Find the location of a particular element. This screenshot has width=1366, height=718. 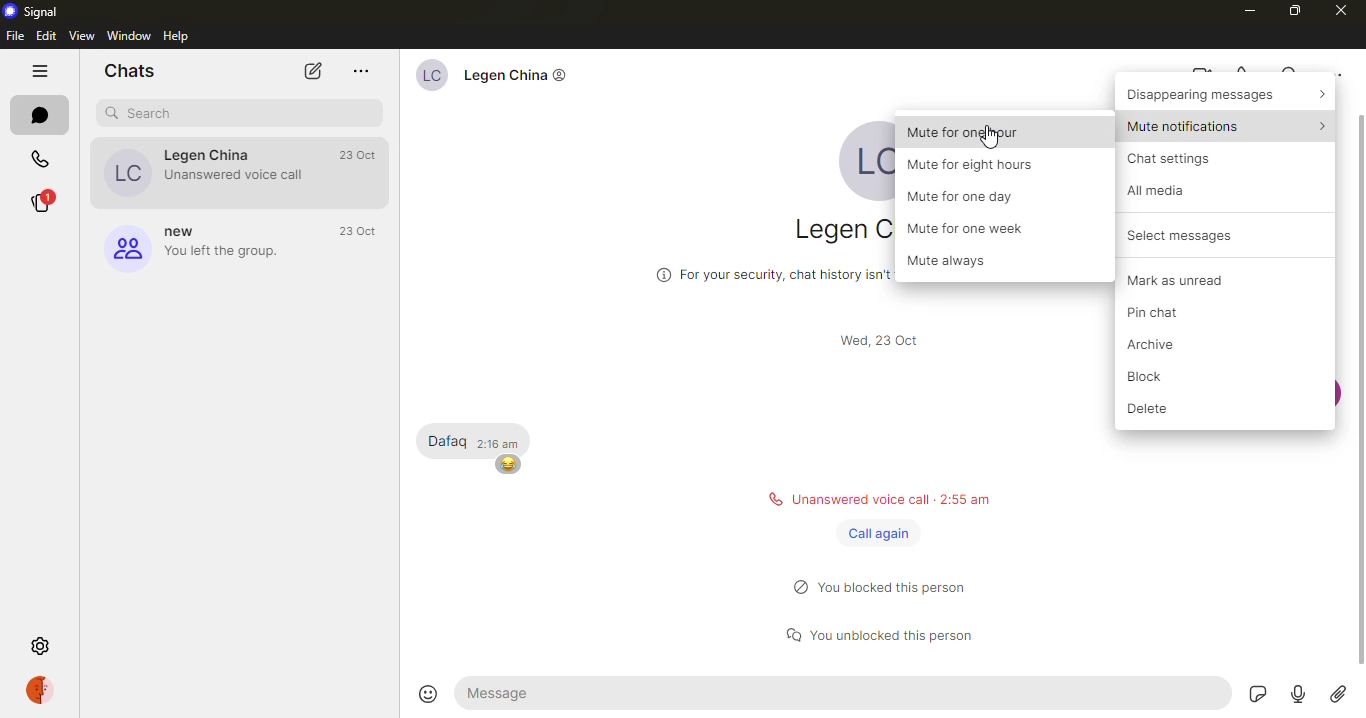

message is located at coordinates (447, 440).